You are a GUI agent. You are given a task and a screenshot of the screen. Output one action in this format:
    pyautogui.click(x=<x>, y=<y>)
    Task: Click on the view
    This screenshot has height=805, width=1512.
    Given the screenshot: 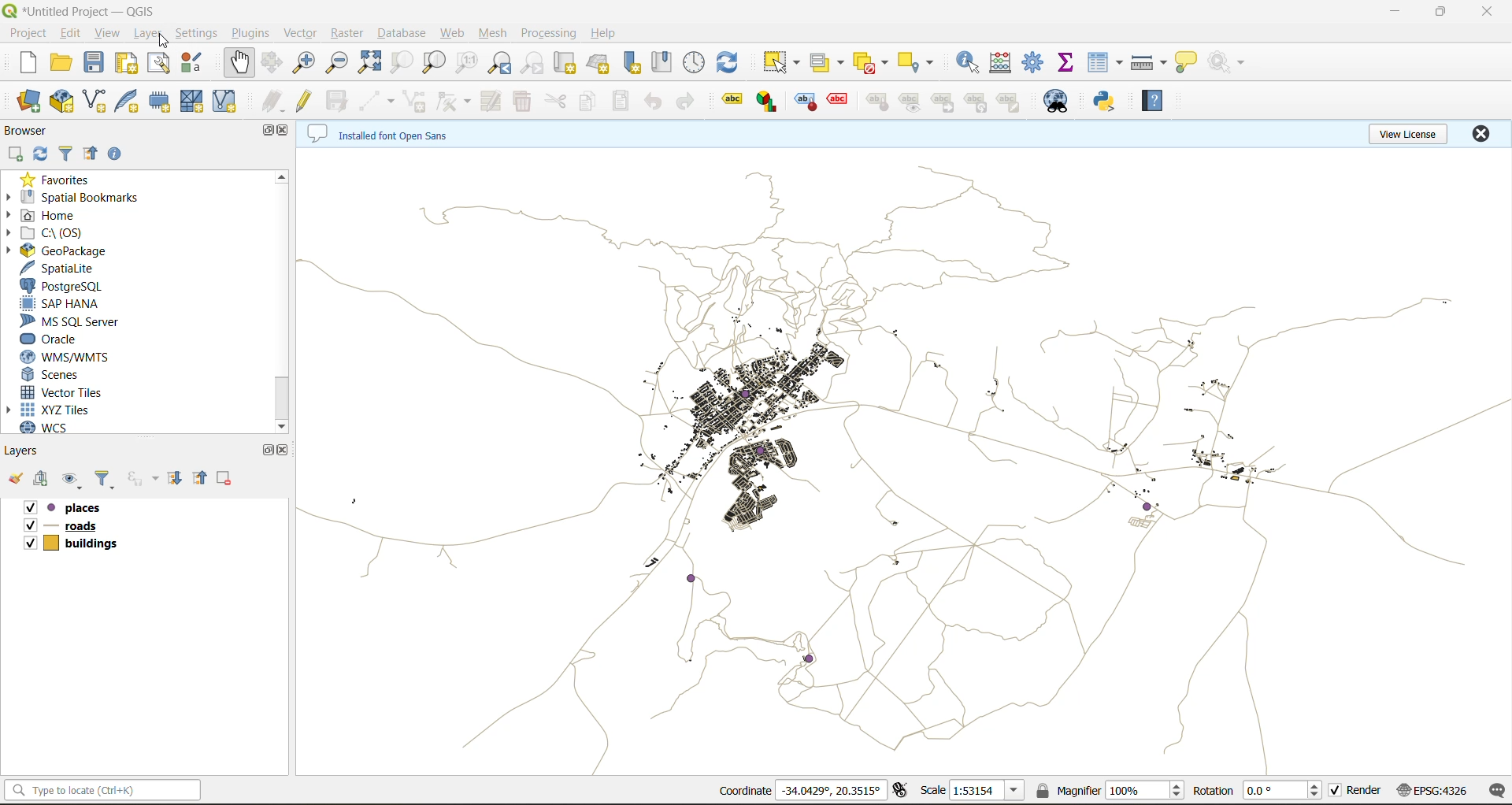 What is the action you would take?
    pyautogui.click(x=109, y=33)
    